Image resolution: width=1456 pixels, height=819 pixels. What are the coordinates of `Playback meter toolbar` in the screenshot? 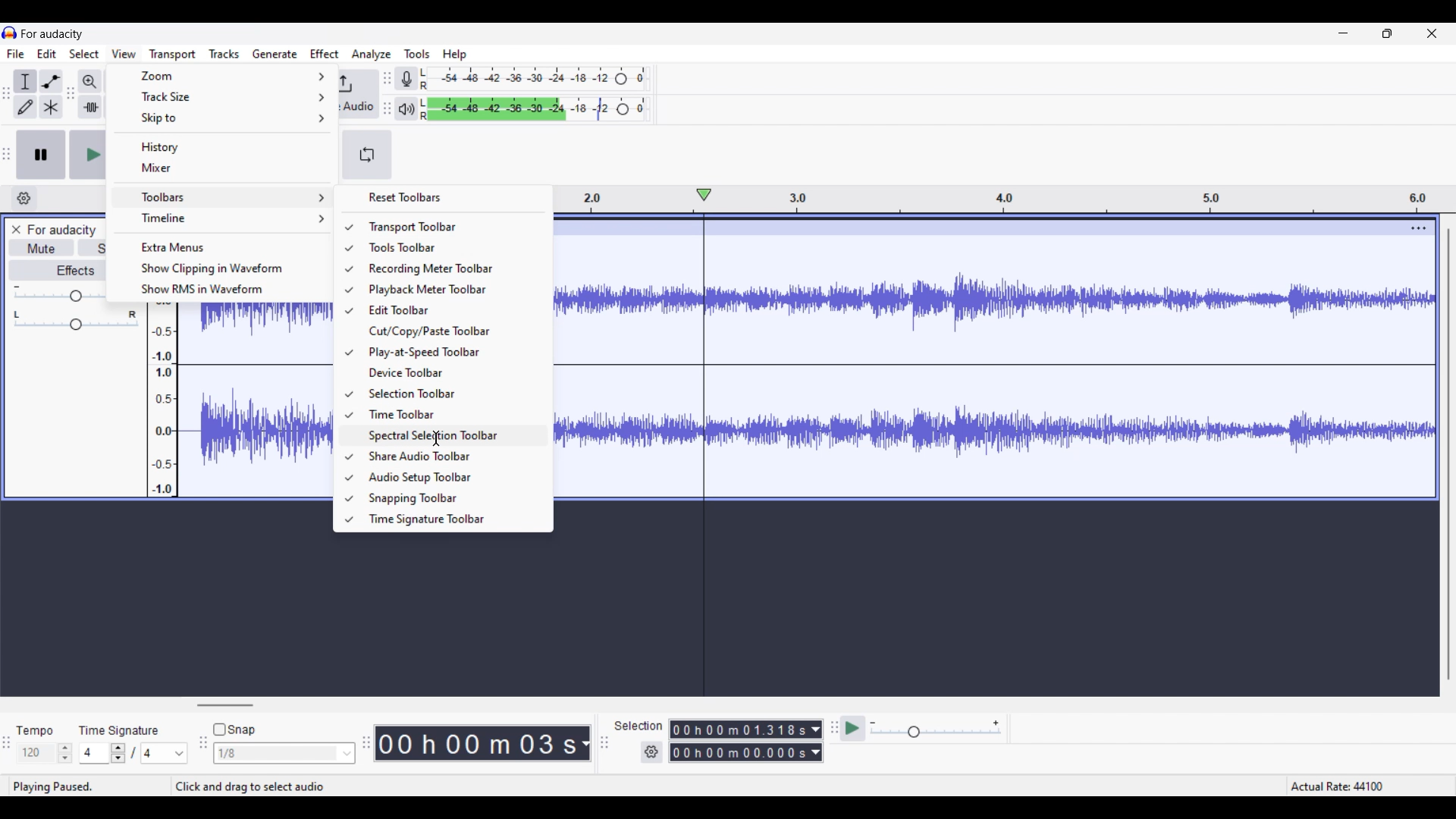 It's located at (449, 290).